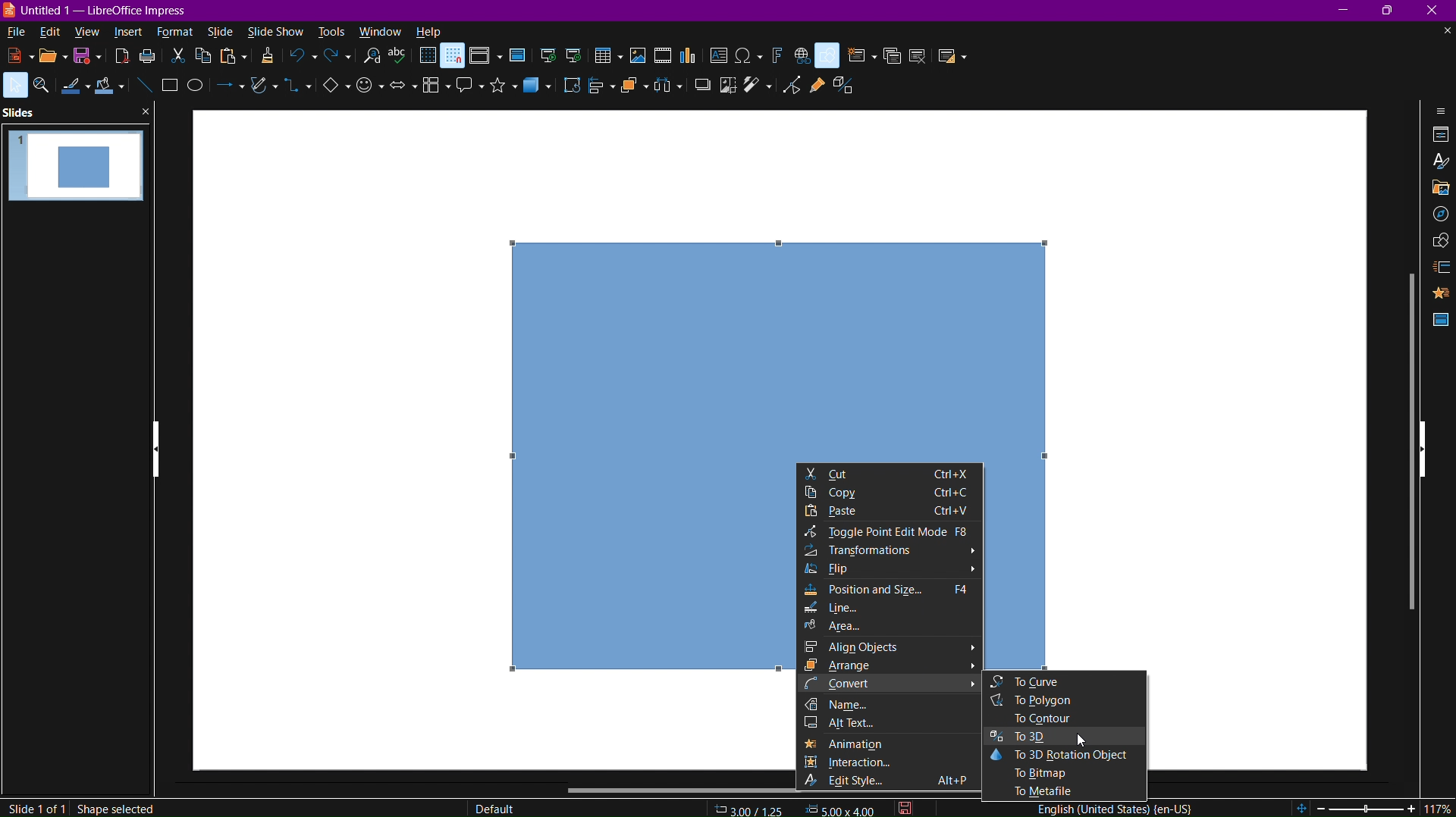  What do you see at coordinates (499, 90) in the screenshot?
I see `Stars and Banners` at bounding box center [499, 90].